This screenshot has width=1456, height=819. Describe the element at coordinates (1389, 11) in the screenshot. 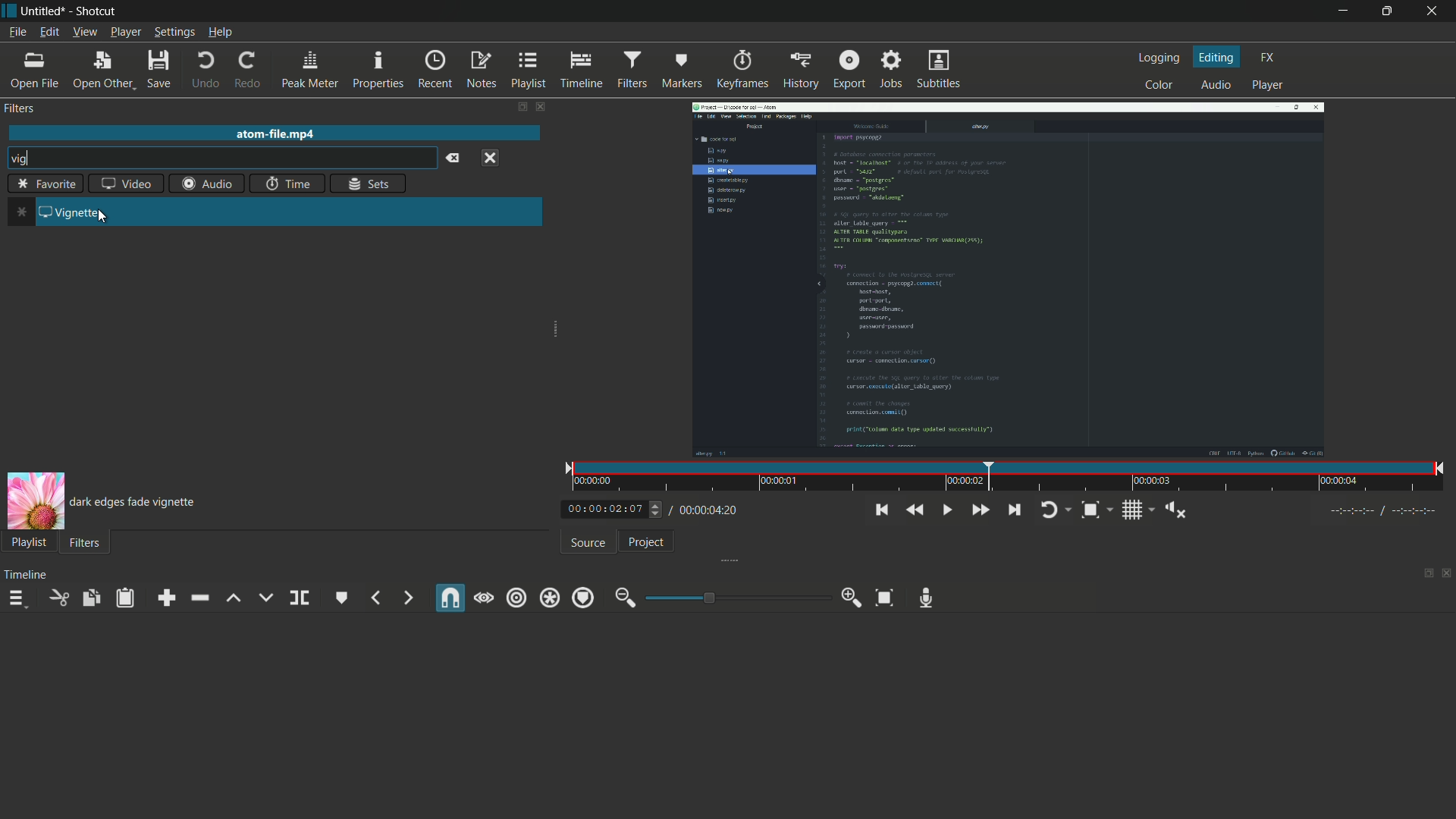

I see `maximize` at that location.